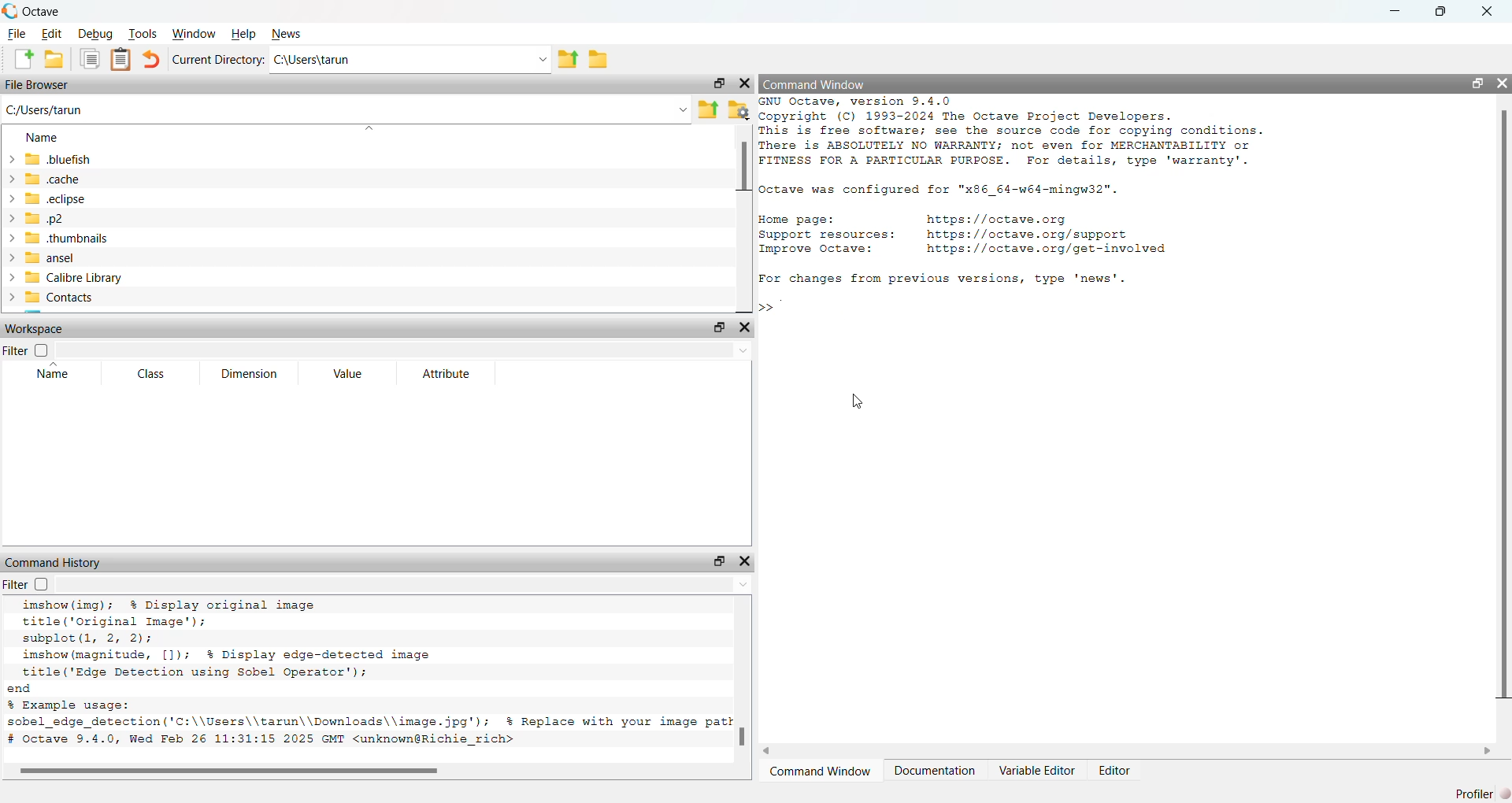  Describe the element at coordinates (51, 159) in the screenshot. I see `bluefish` at that location.